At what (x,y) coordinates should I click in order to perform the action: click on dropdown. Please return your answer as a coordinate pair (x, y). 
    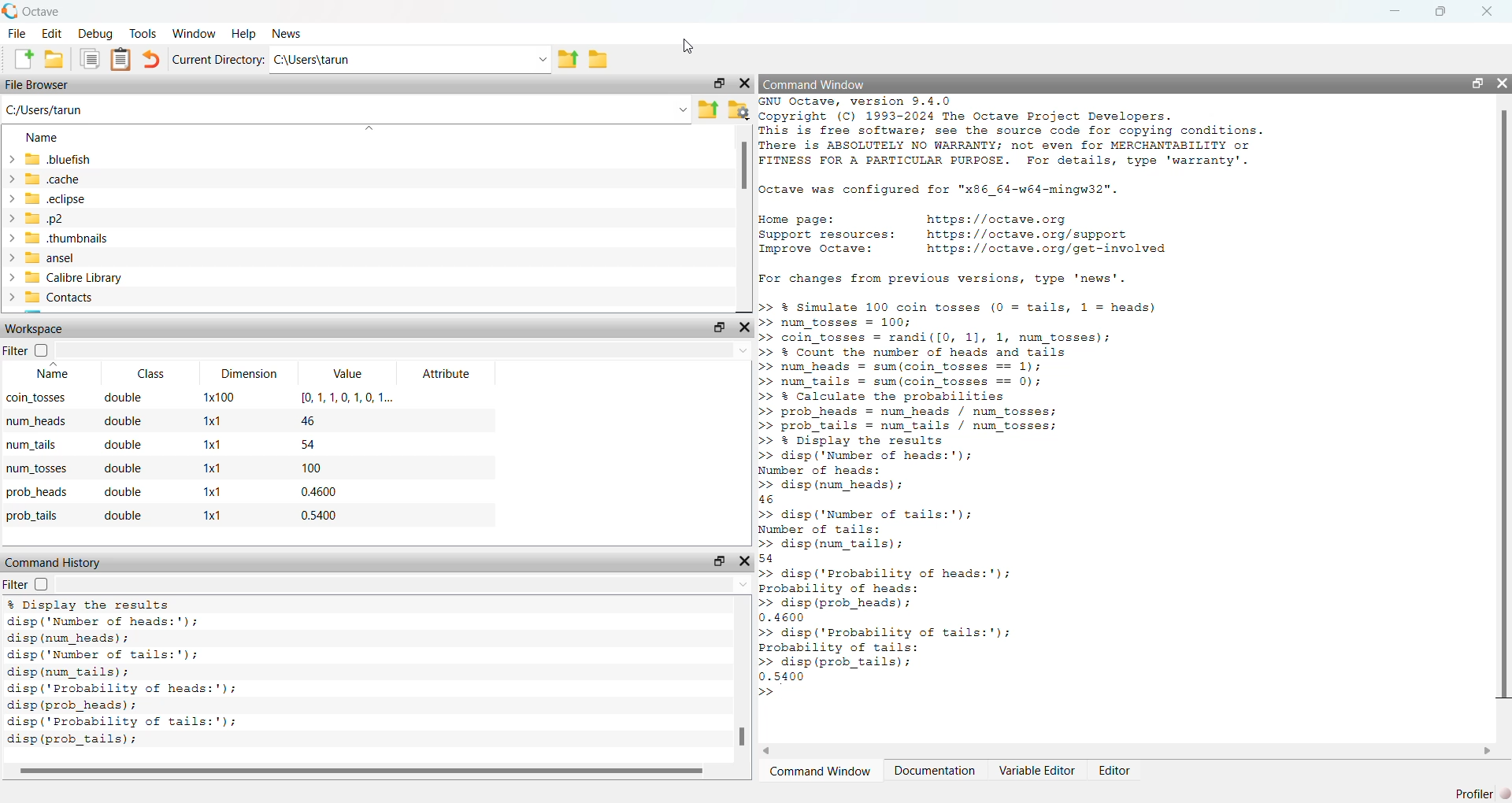
    Looking at the image, I should click on (372, 127).